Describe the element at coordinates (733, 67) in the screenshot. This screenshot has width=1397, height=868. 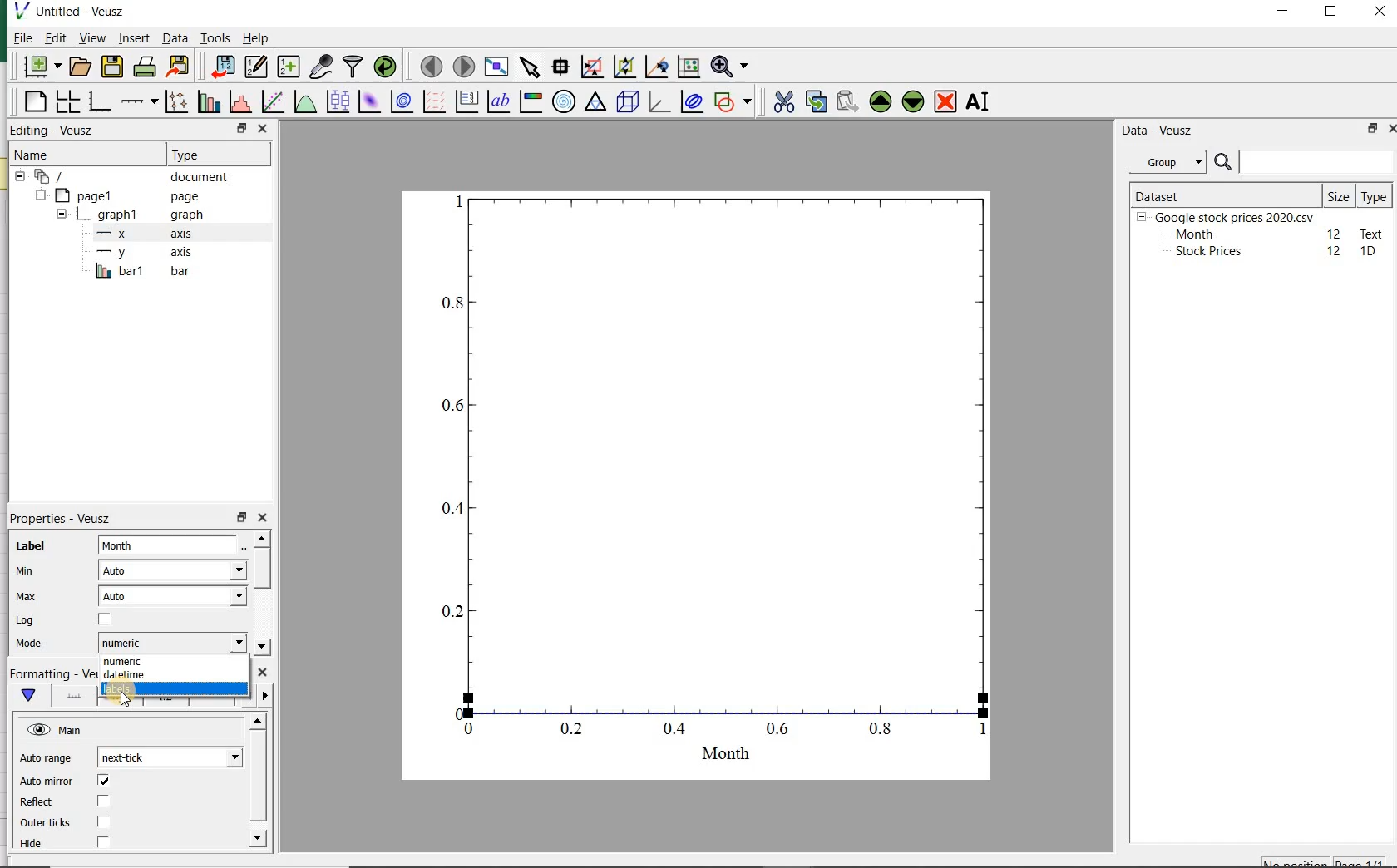
I see `zoom function menus` at that location.